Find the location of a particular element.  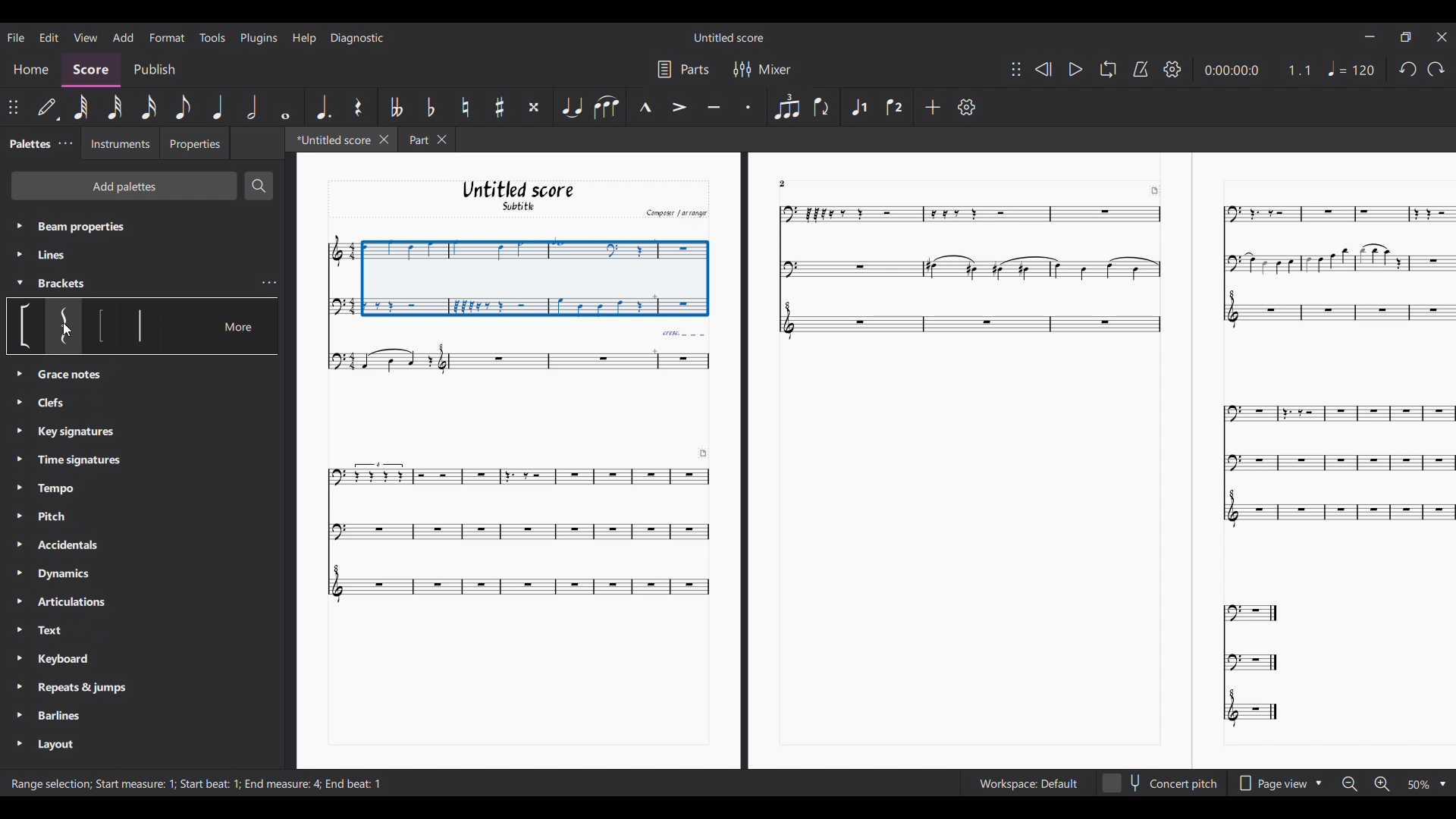

Parts is located at coordinates (695, 69).